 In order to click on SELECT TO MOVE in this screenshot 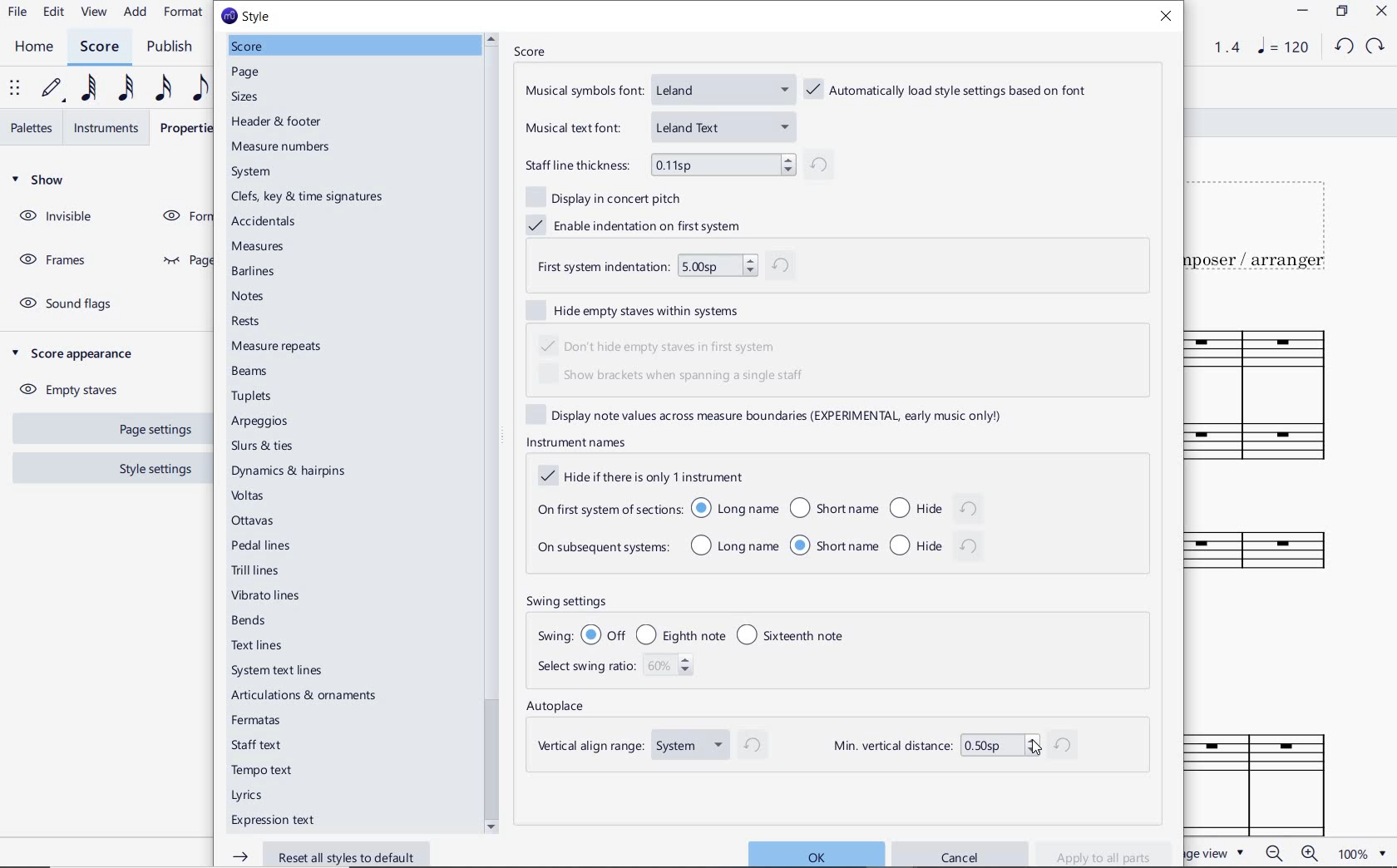, I will do `click(18, 87)`.